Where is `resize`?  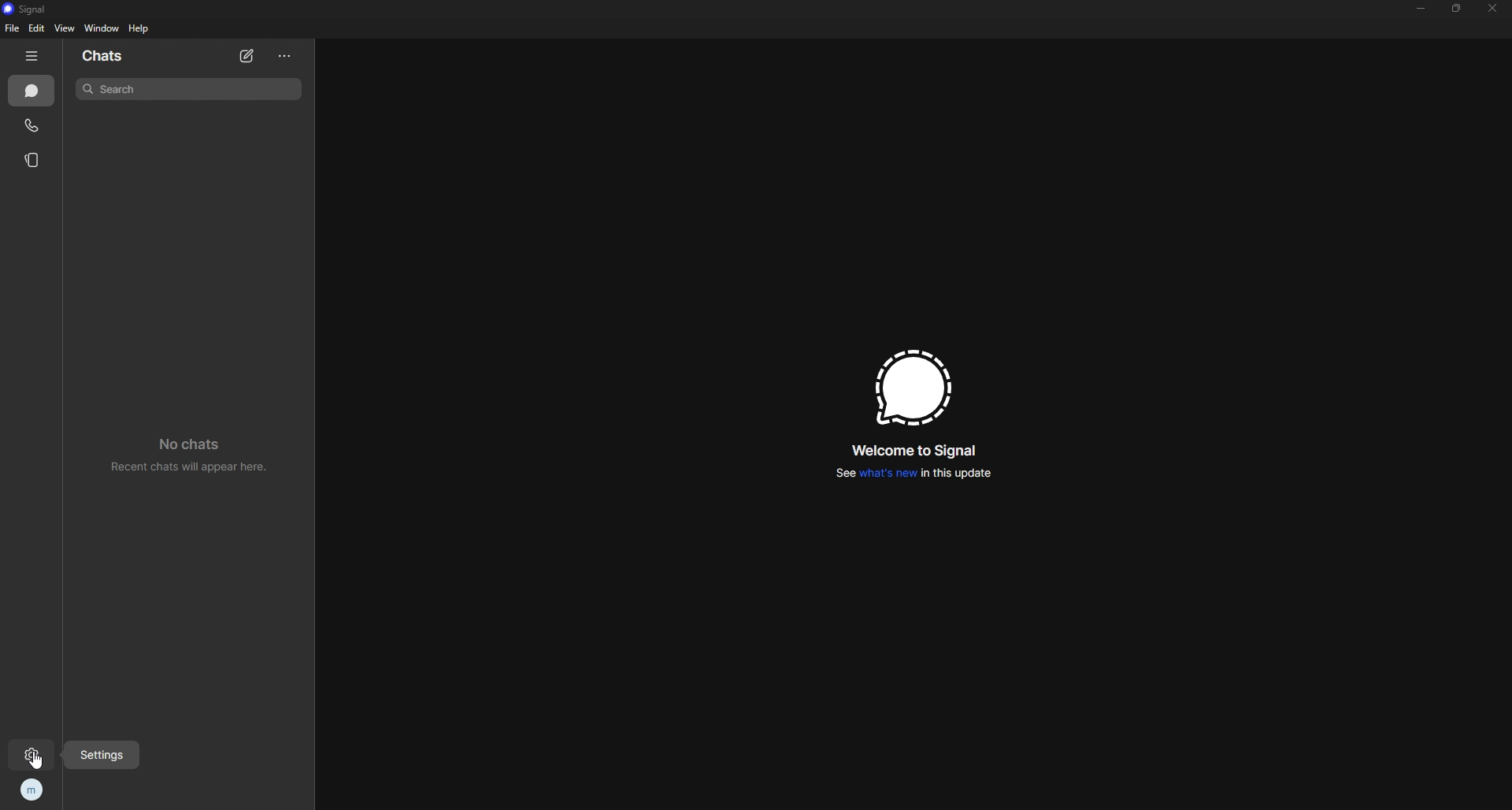
resize is located at coordinates (1457, 9).